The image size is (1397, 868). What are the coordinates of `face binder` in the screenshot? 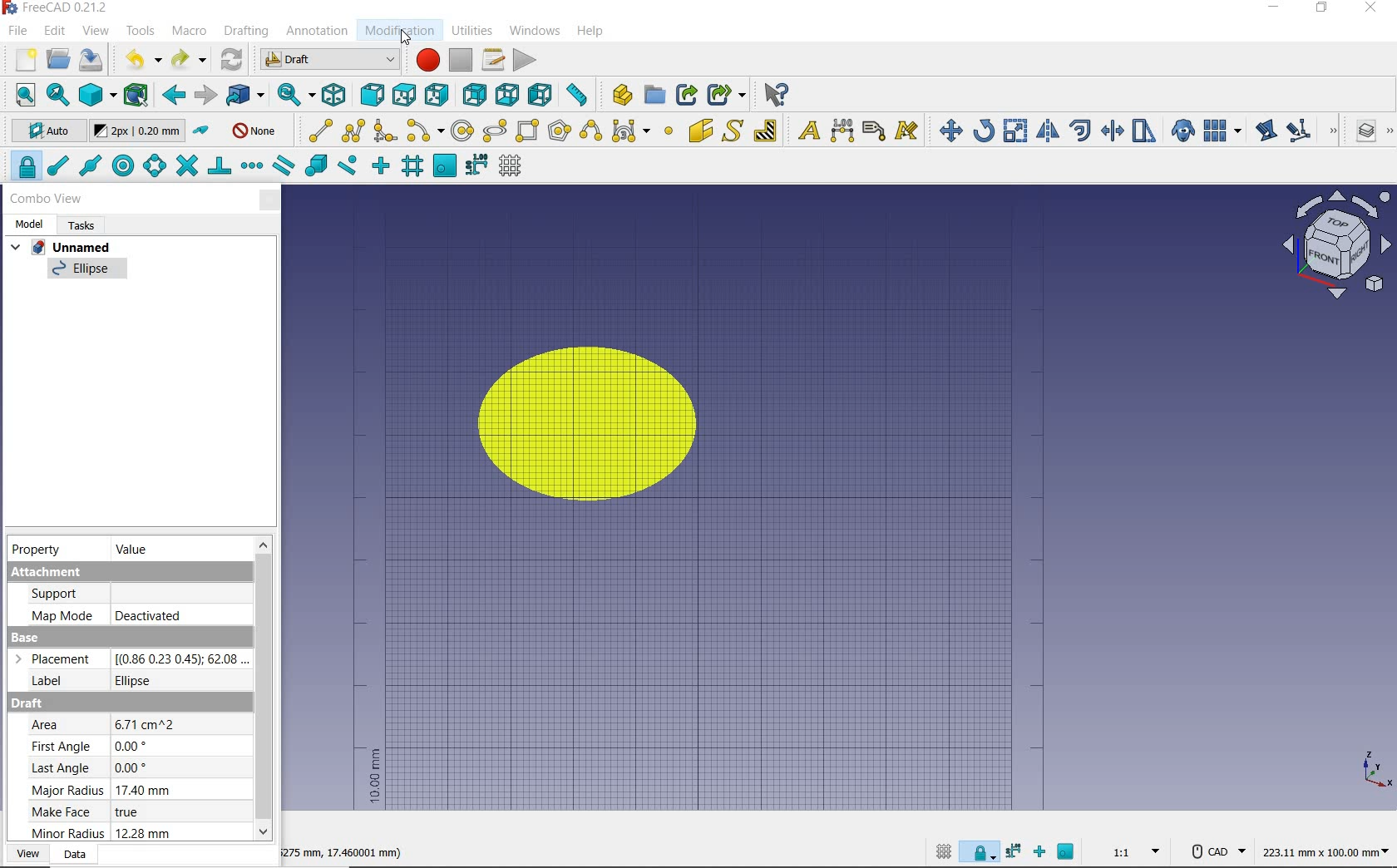 It's located at (702, 132).